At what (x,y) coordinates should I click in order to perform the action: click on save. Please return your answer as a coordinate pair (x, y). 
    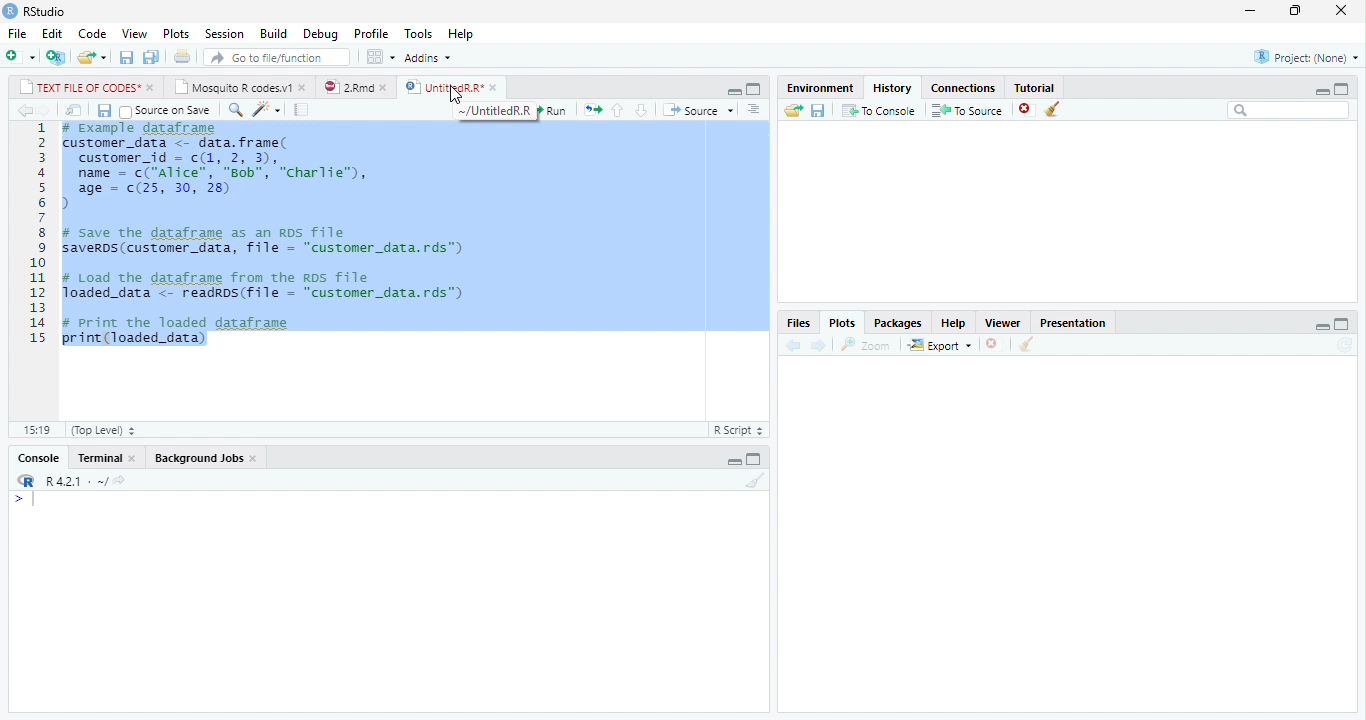
    Looking at the image, I should click on (104, 111).